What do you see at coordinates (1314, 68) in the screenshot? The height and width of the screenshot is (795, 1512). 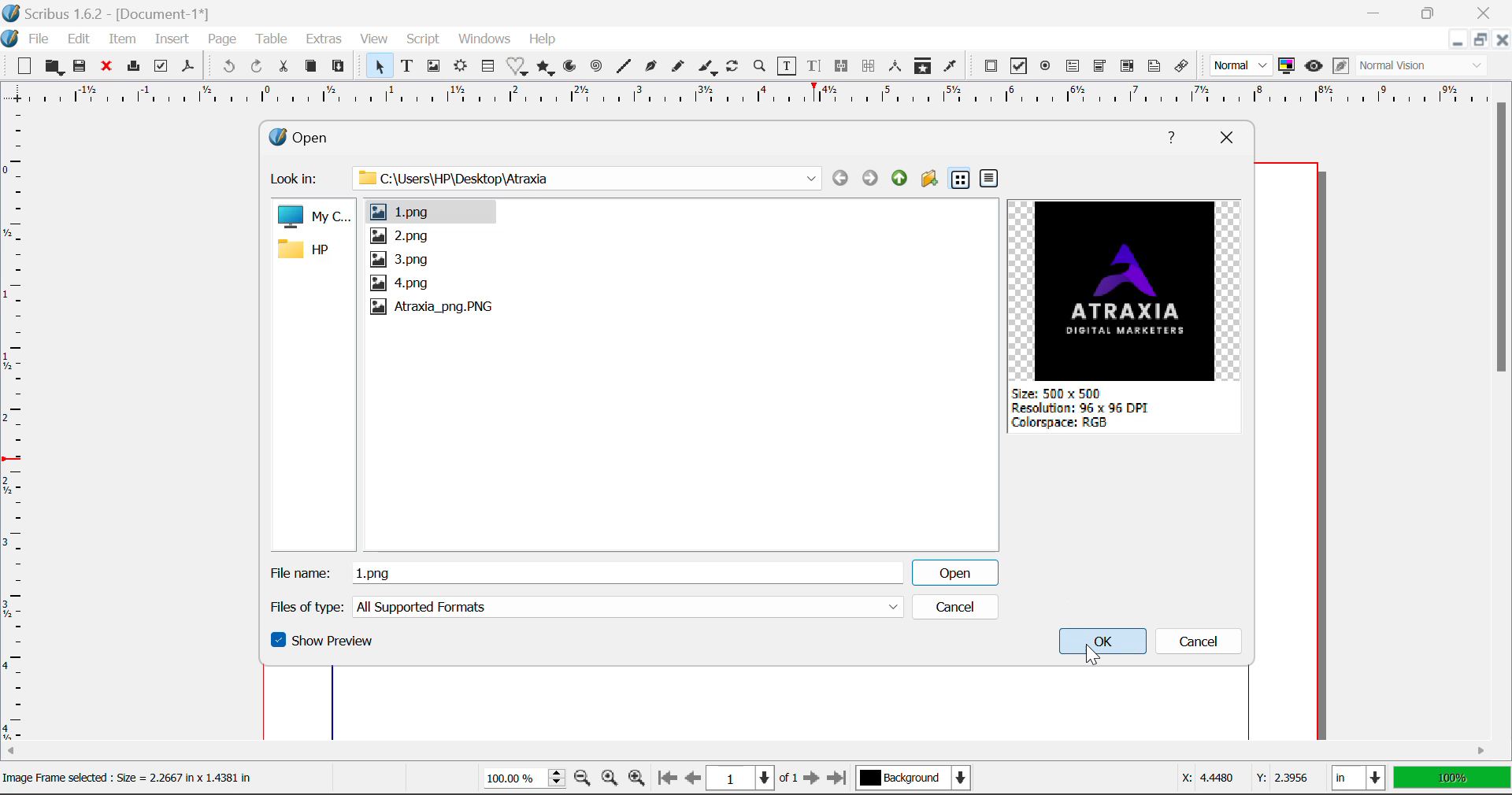 I see `Preview Mode` at bounding box center [1314, 68].